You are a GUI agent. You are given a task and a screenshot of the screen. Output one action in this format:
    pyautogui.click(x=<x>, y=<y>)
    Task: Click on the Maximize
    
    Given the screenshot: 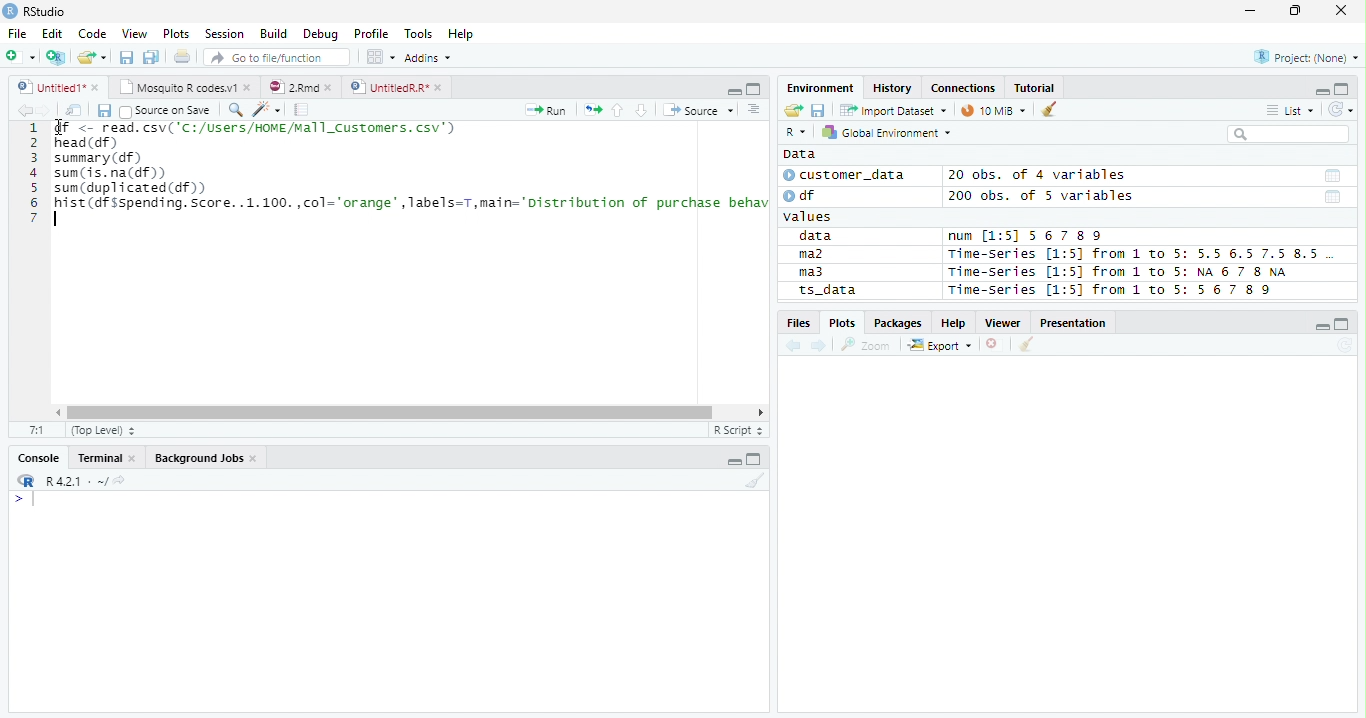 What is the action you would take?
    pyautogui.click(x=1344, y=324)
    